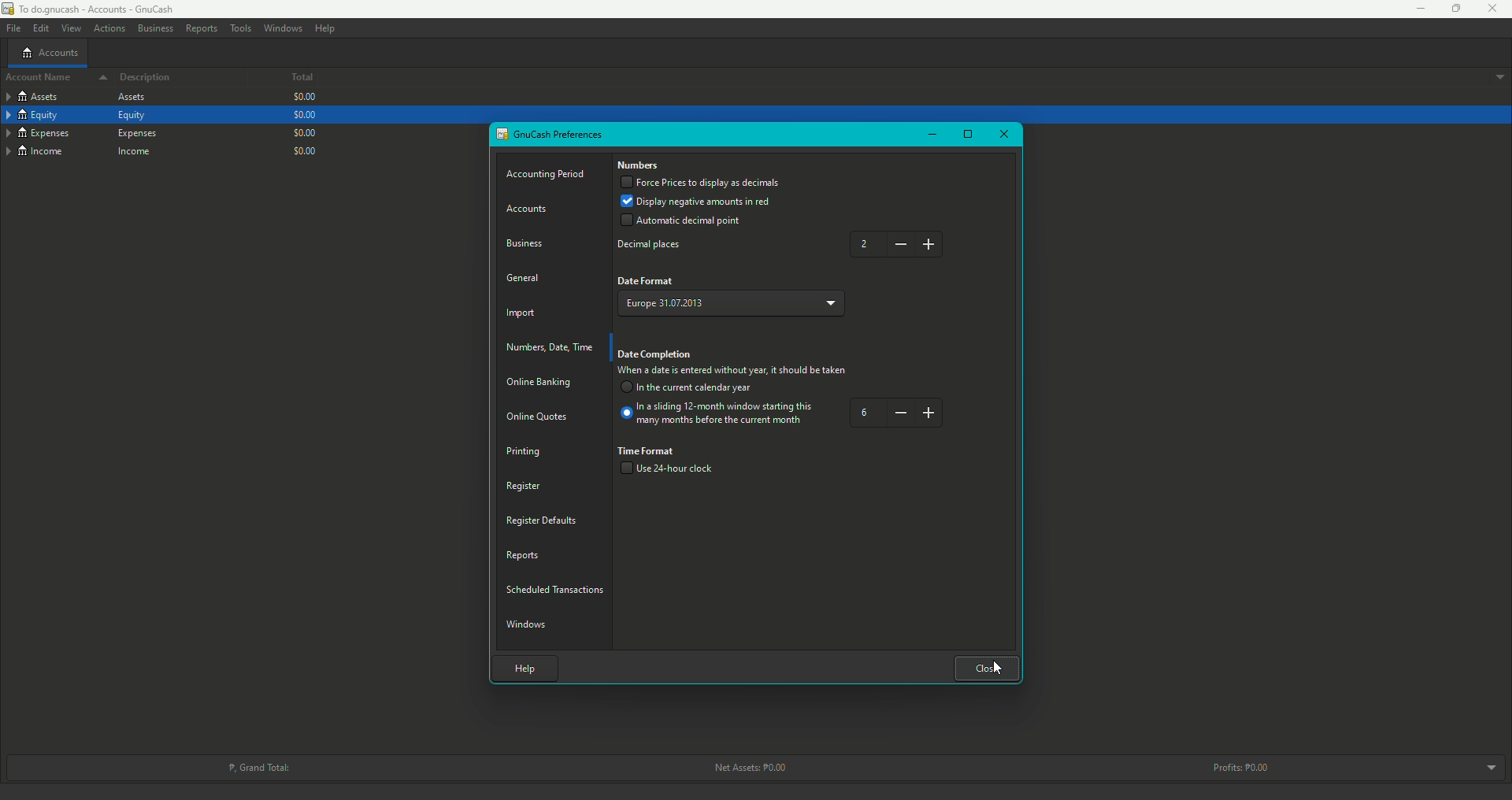  I want to click on Close, so click(1002, 135).